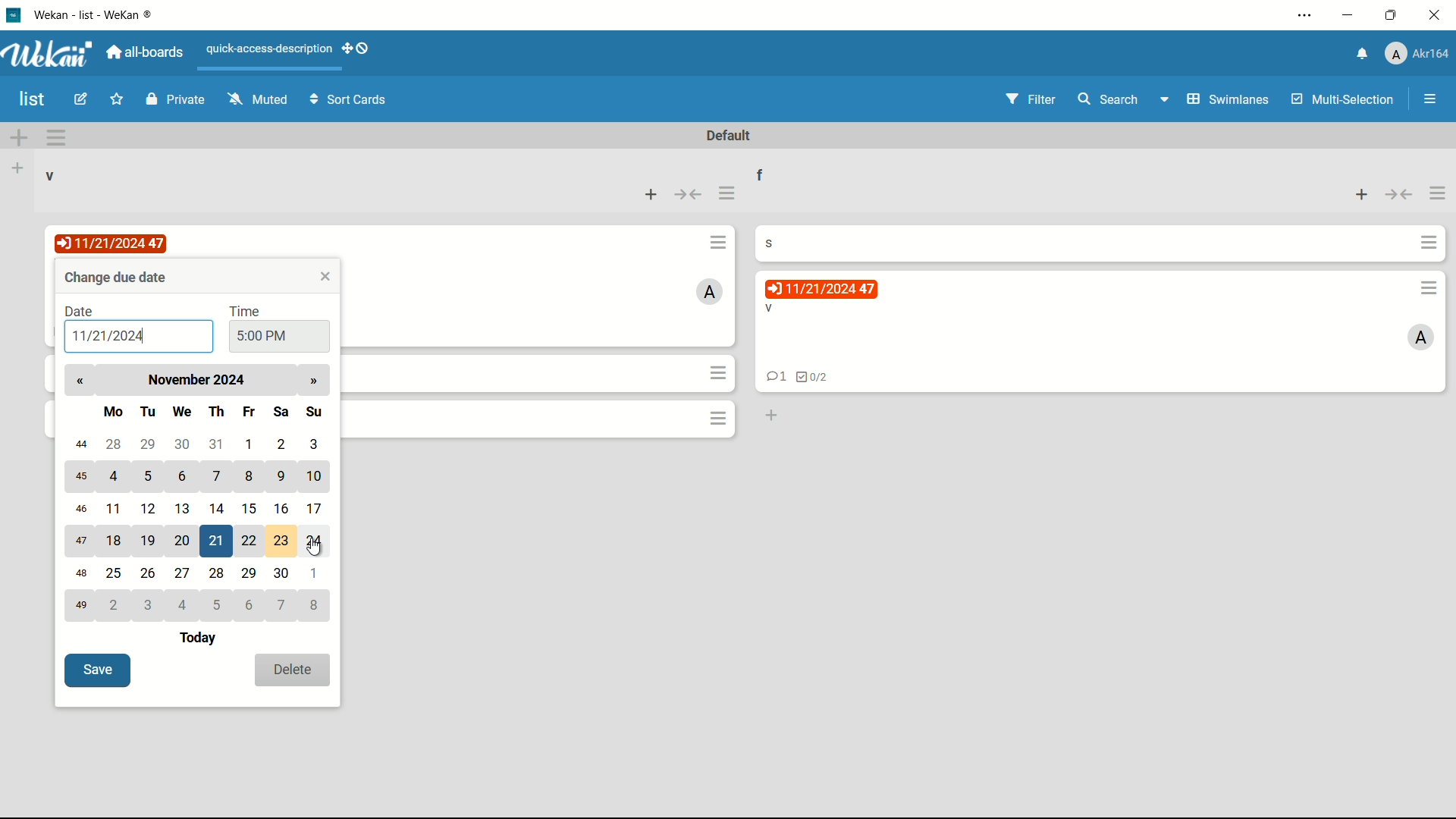  Describe the element at coordinates (770, 416) in the screenshot. I see `add card to bottom of list` at that location.